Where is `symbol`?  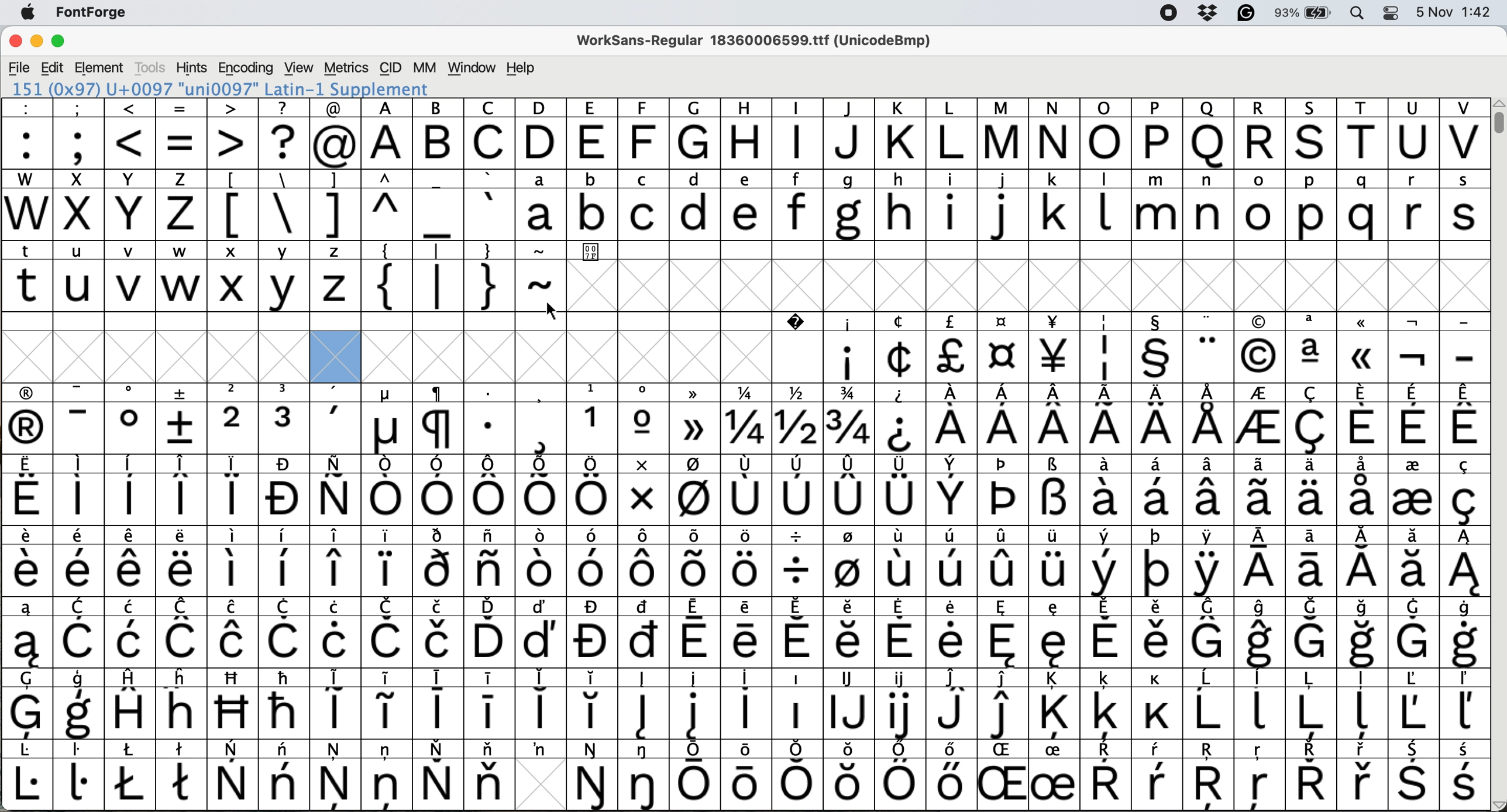 symbol is located at coordinates (1363, 418).